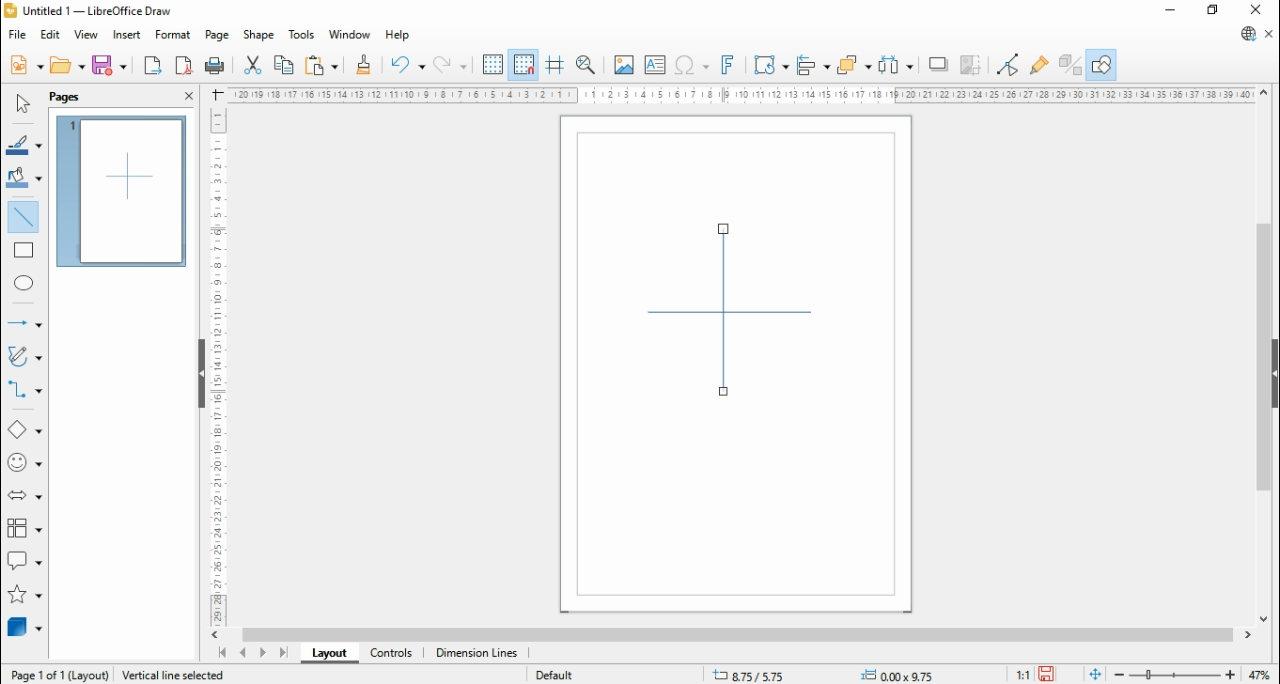 This screenshot has width=1280, height=684. What do you see at coordinates (1262, 674) in the screenshot?
I see `zoom factor` at bounding box center [1262, 674].